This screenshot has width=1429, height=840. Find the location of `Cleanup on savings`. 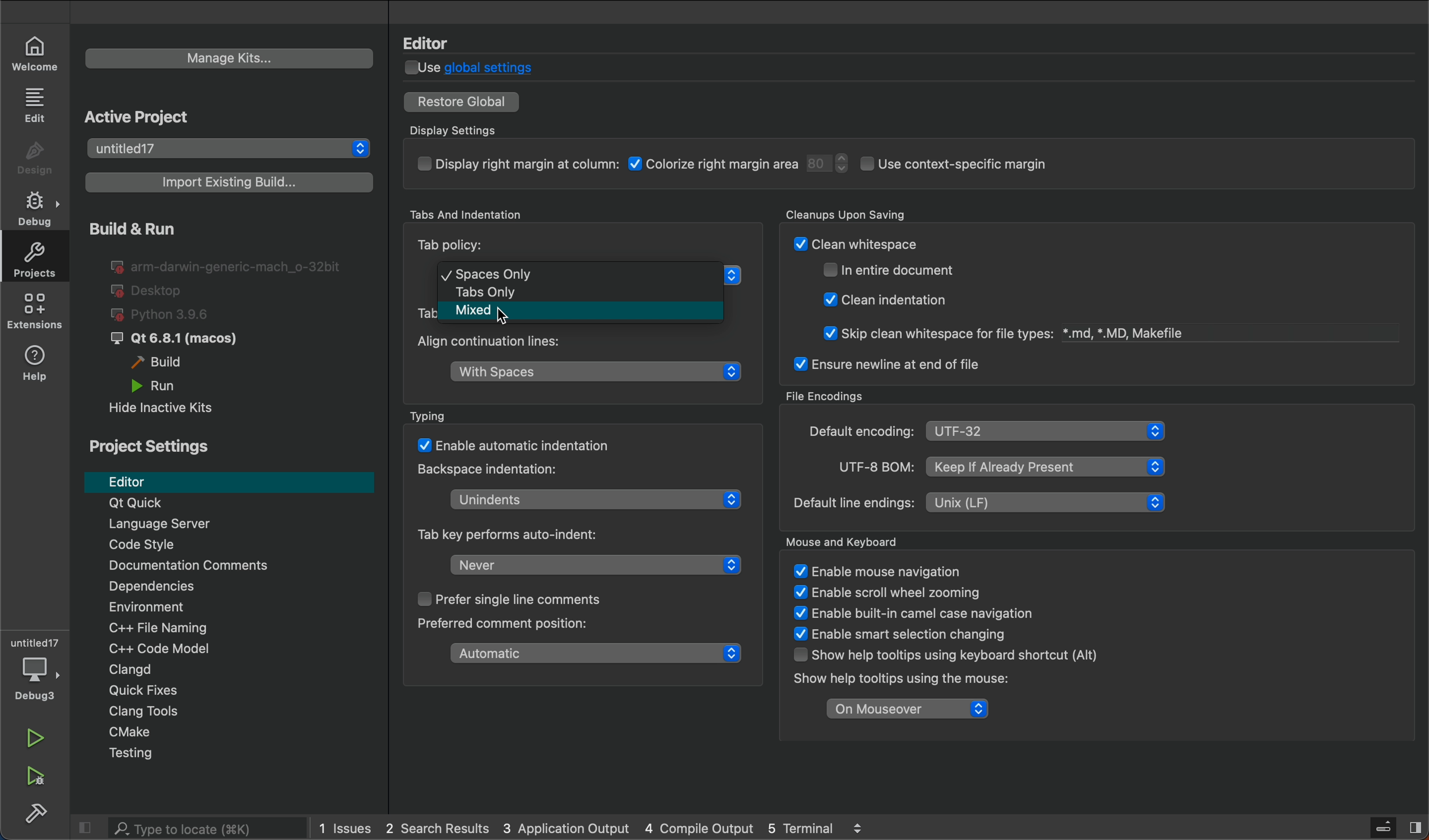

Cleanup on savings is located at coordinates (956, 243).